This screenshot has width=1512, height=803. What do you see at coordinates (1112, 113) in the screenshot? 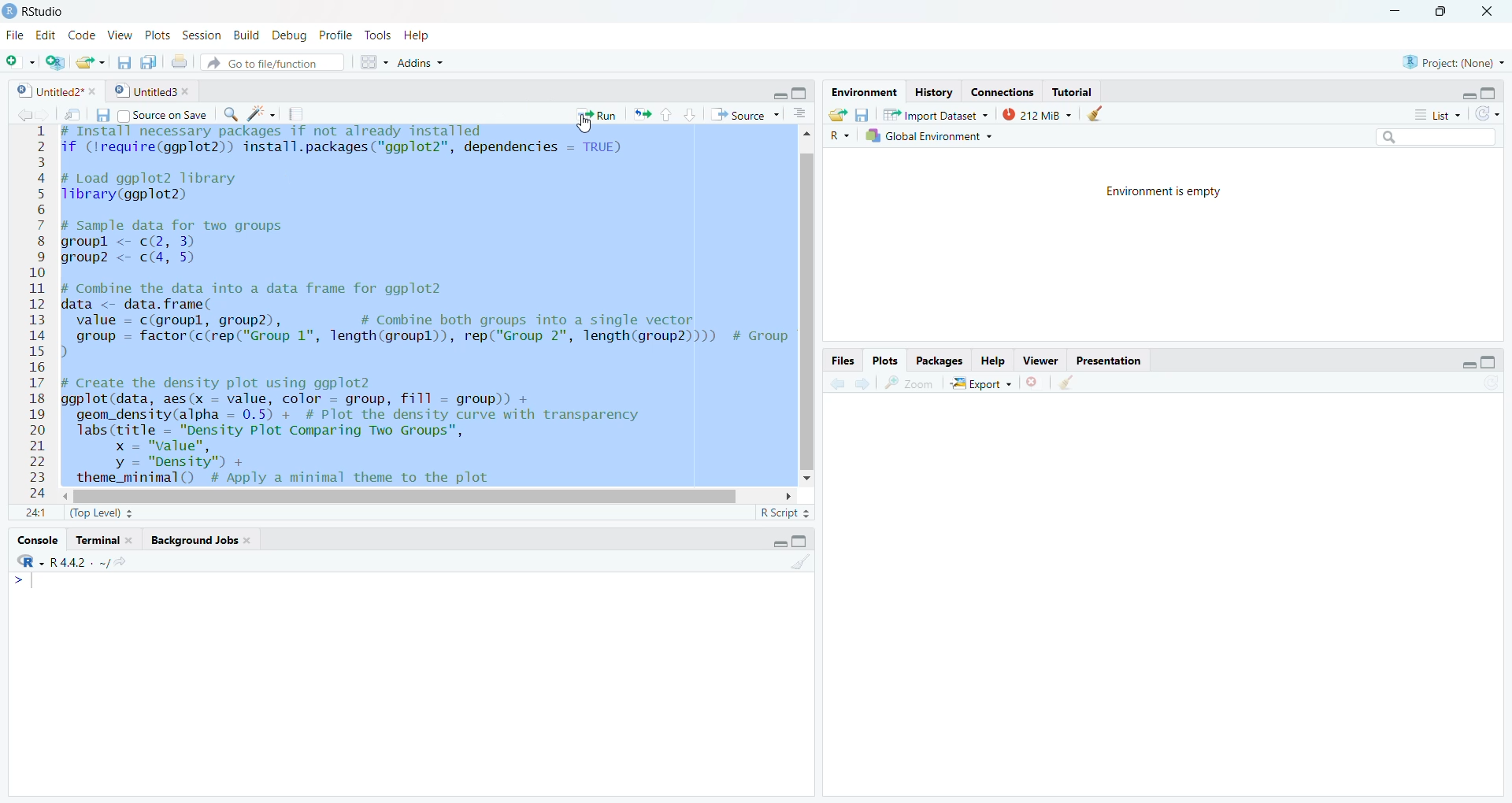
I see `clear` at bounding box center [1112, 113].